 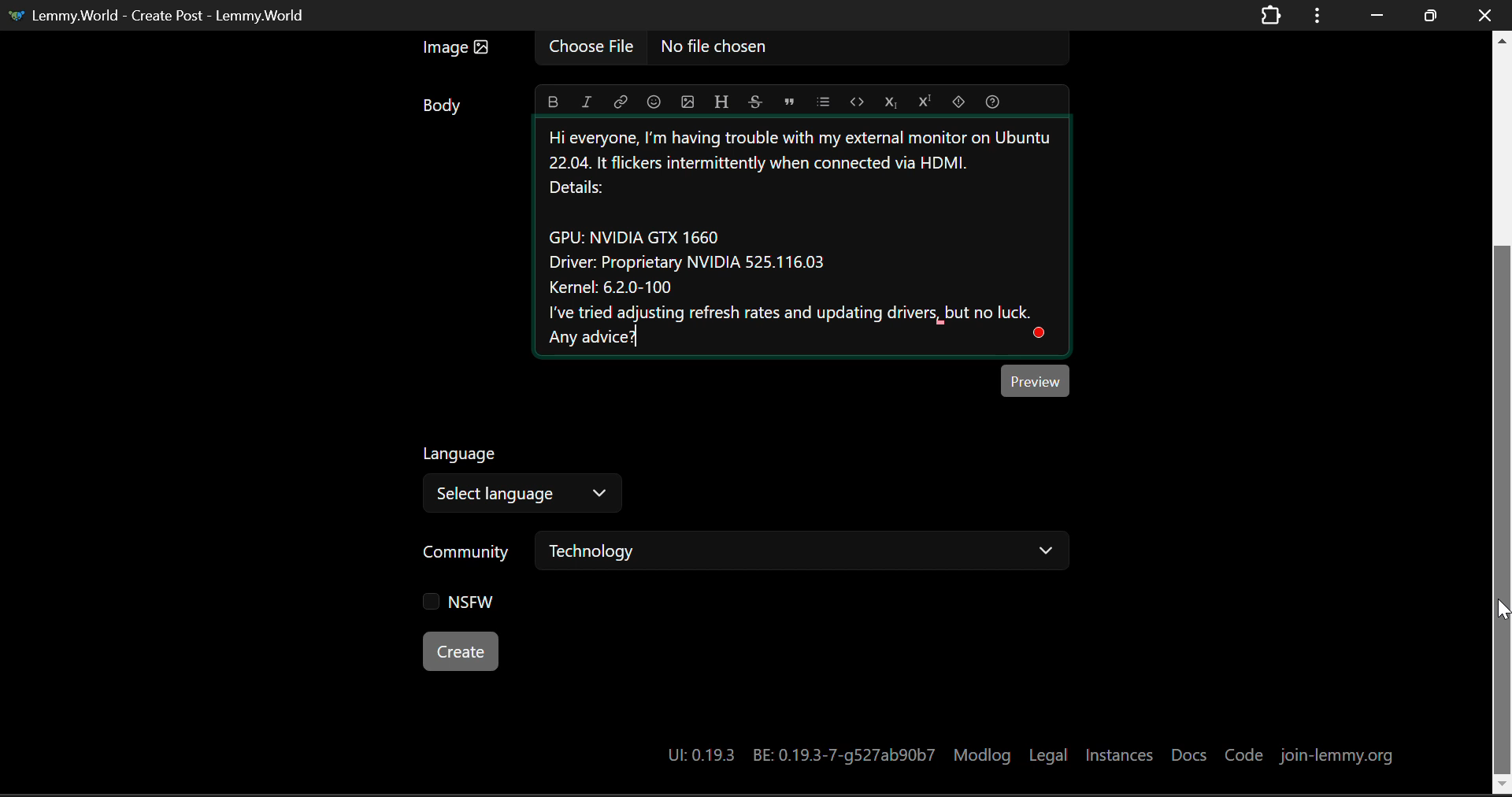 I want to click on Insert Picture, so click(x=686, y=99).